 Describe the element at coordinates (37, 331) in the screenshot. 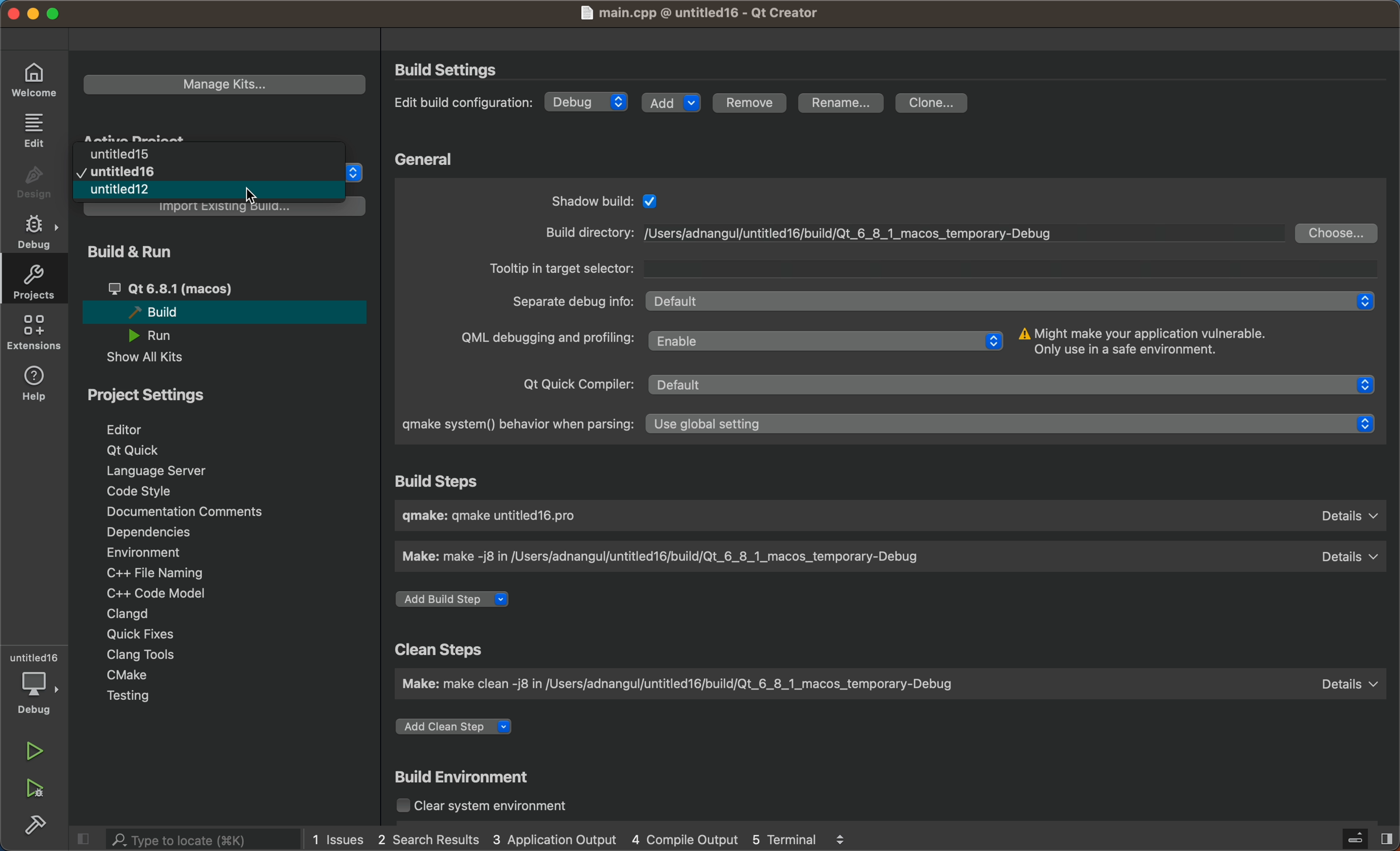

I see `extensions` at that location.